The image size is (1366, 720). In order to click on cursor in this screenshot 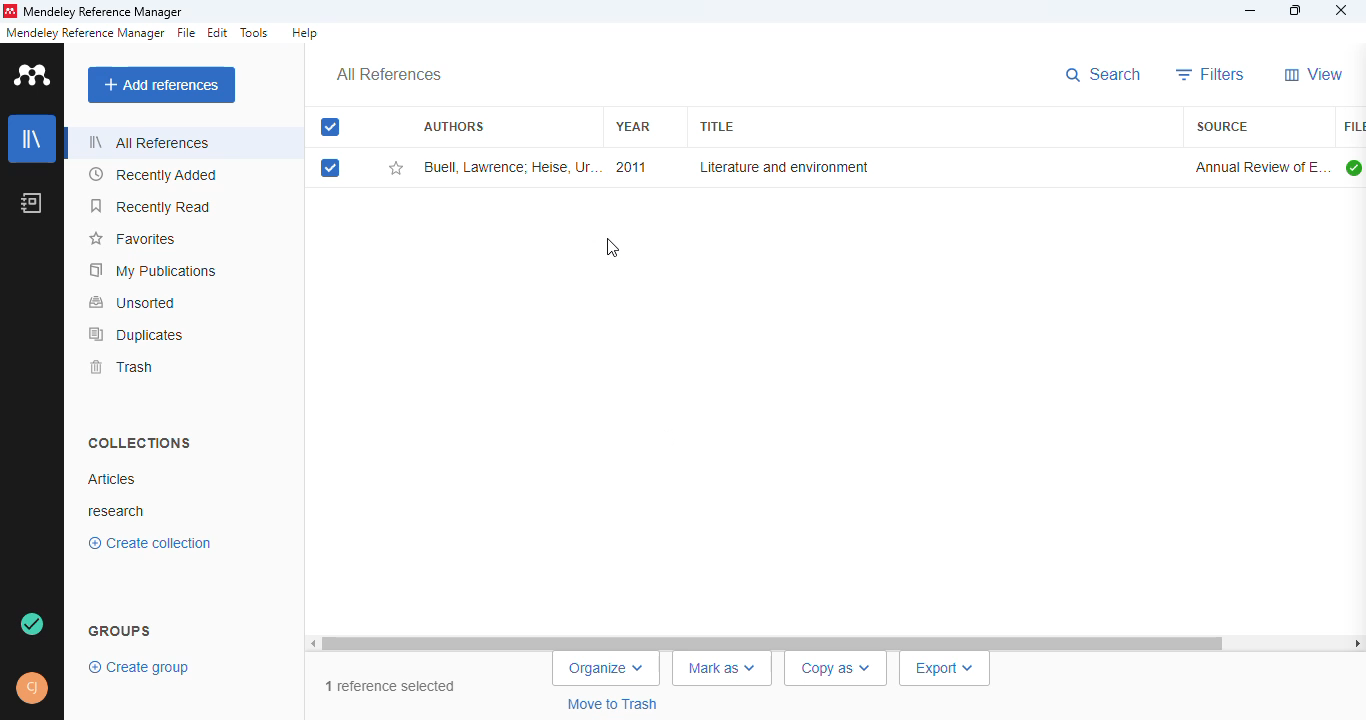, I will do `click(612, 247)`.